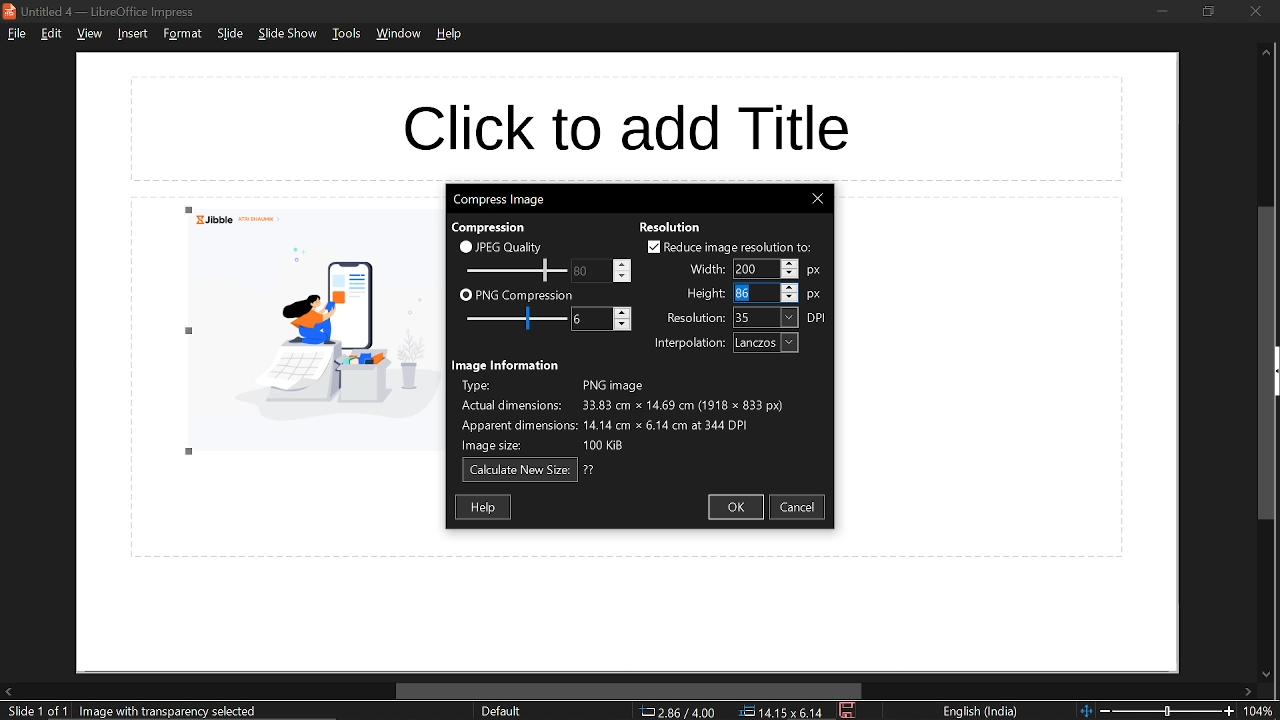 This screenshot has height=720, width=1280. I want to click on Move up, so click(1266, 53).